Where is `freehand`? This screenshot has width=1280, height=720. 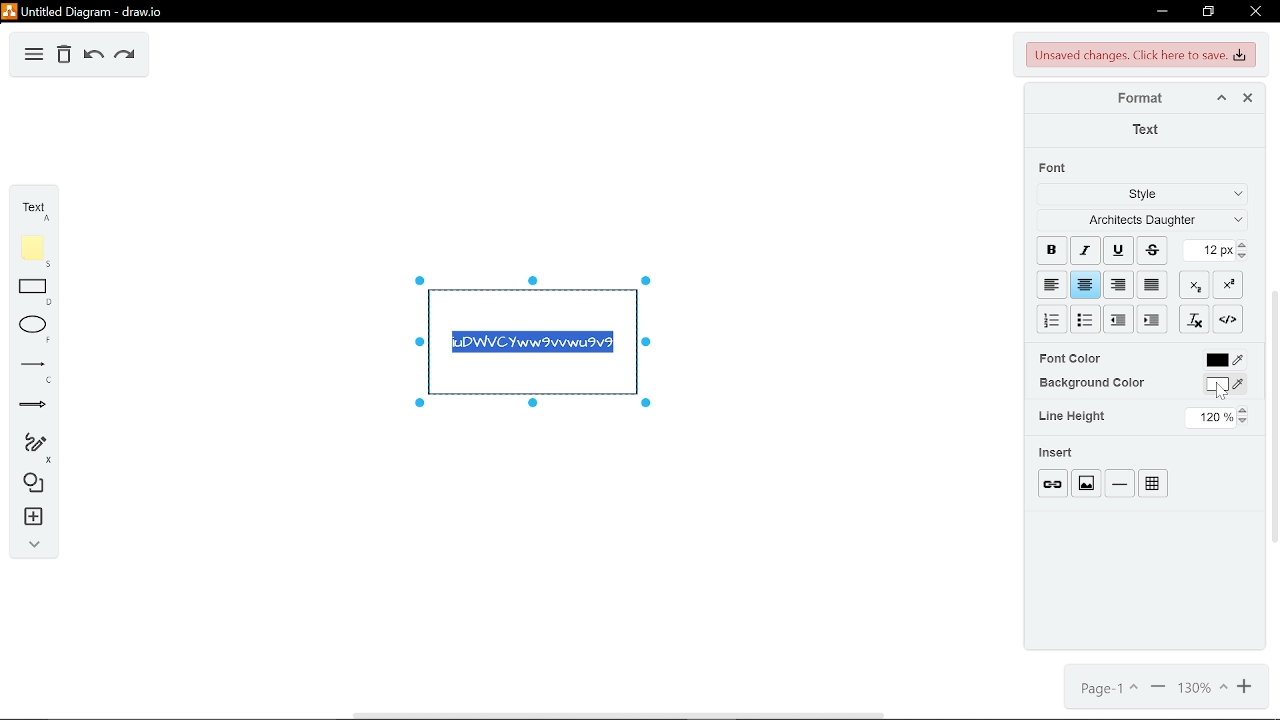 freehand is located at coordinates (31, 446).